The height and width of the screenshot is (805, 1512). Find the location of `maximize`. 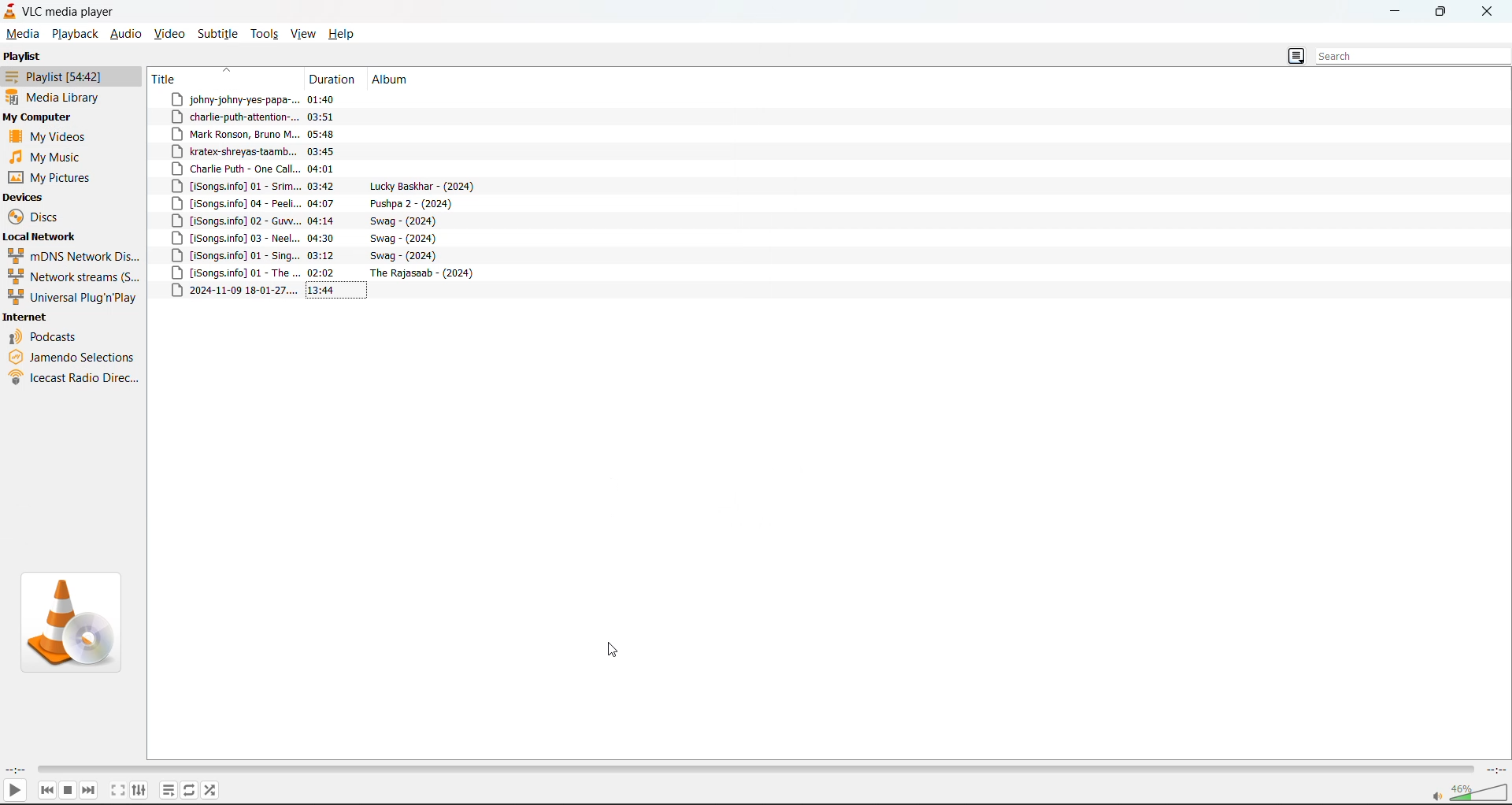

maximize is located at coordinates (1440, 13).